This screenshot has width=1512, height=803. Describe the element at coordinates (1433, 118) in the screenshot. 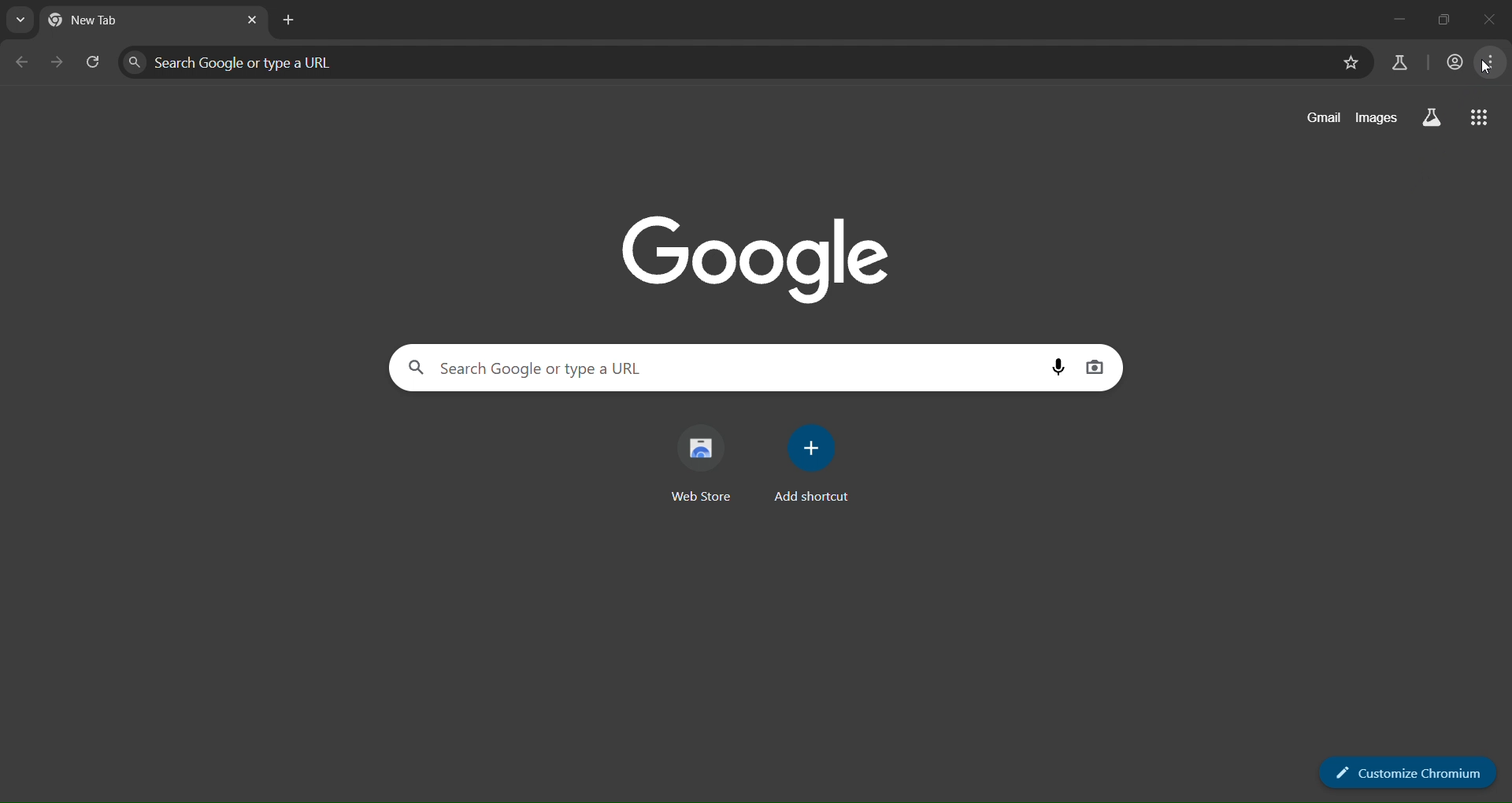

I see `search labs` at that location.